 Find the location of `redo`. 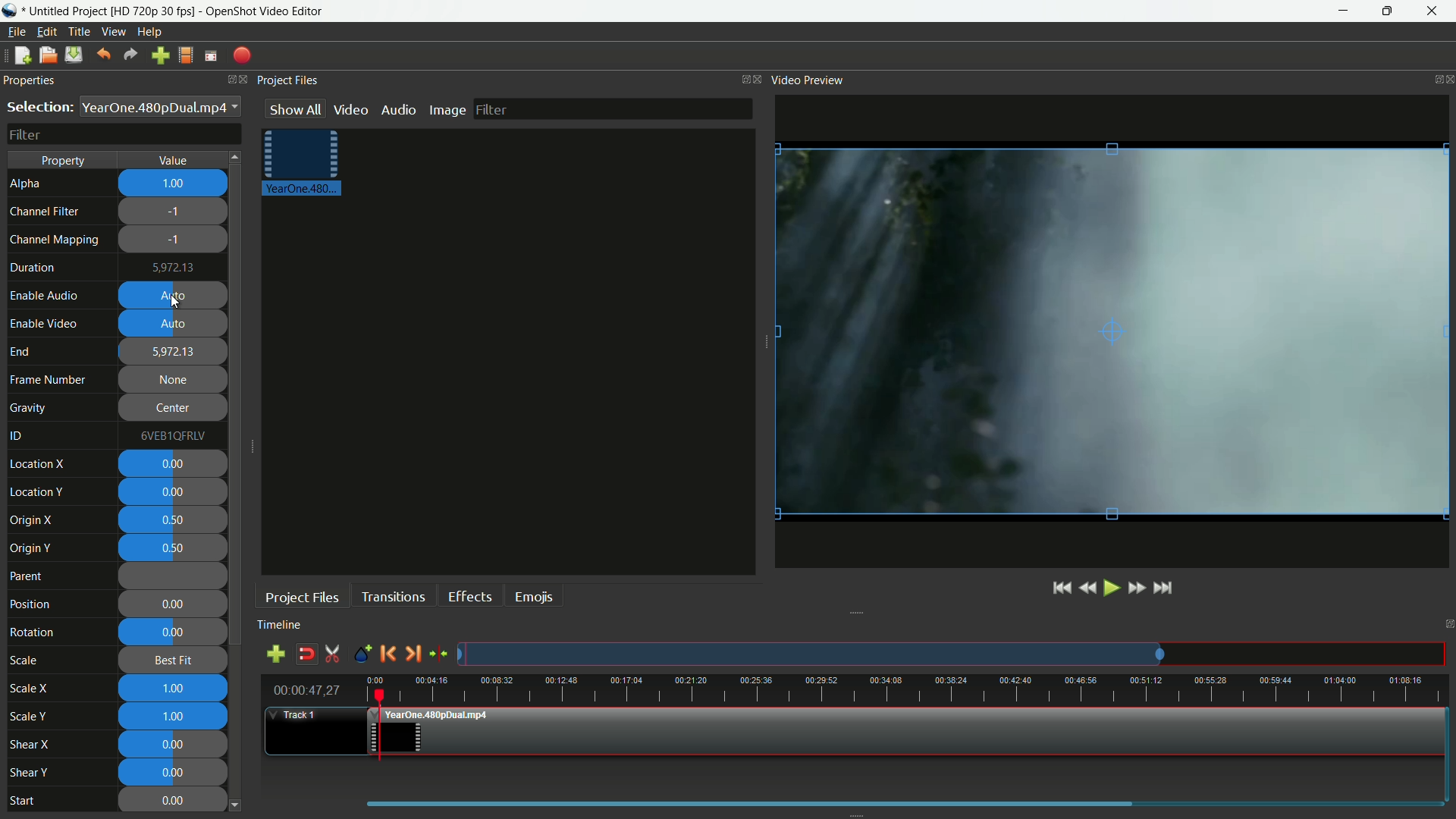

redo is located at coordinates (130, 55).